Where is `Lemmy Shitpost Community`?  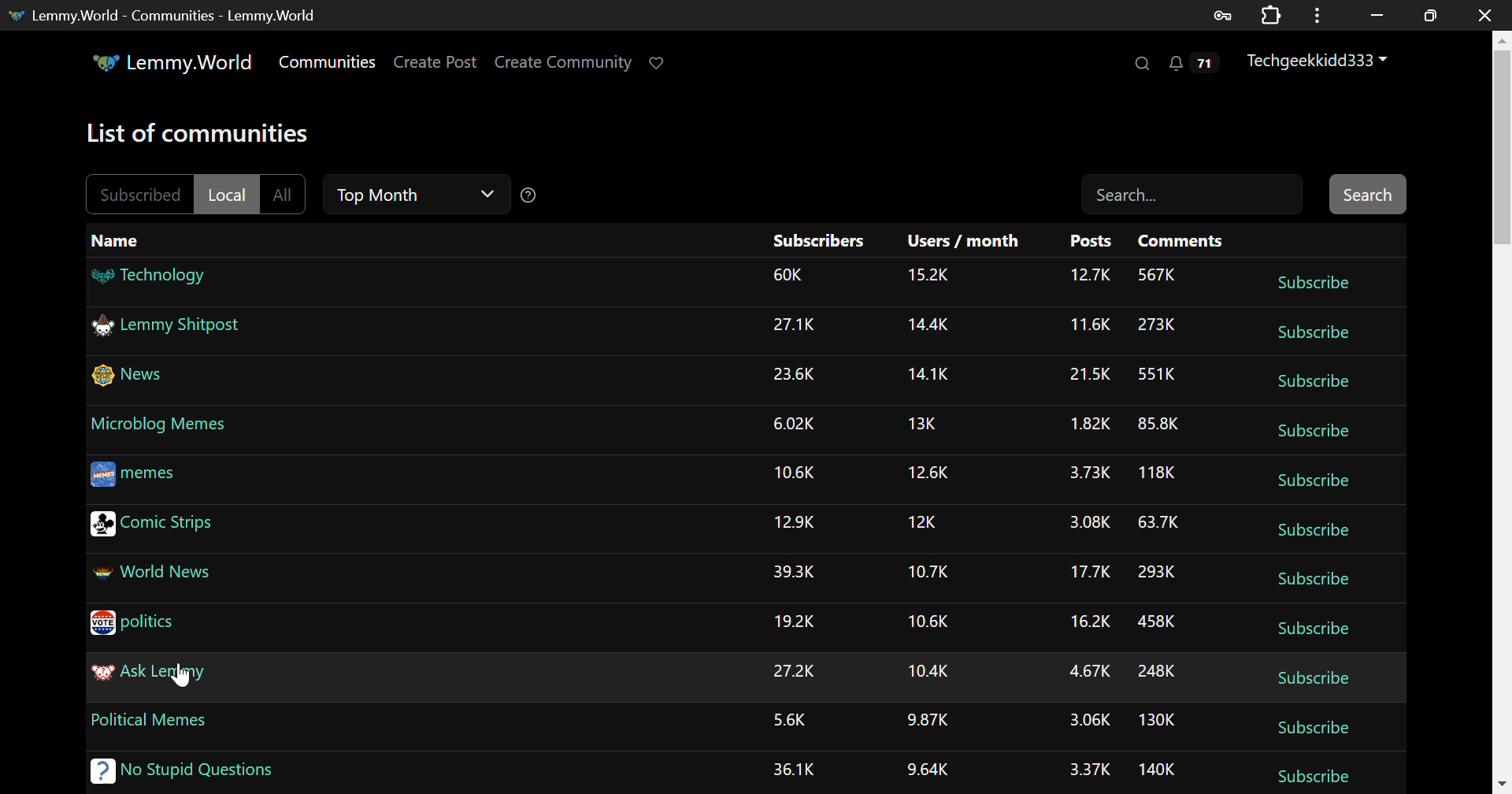 Lemmy Shitpost Community is located at coordinates (165, 329).